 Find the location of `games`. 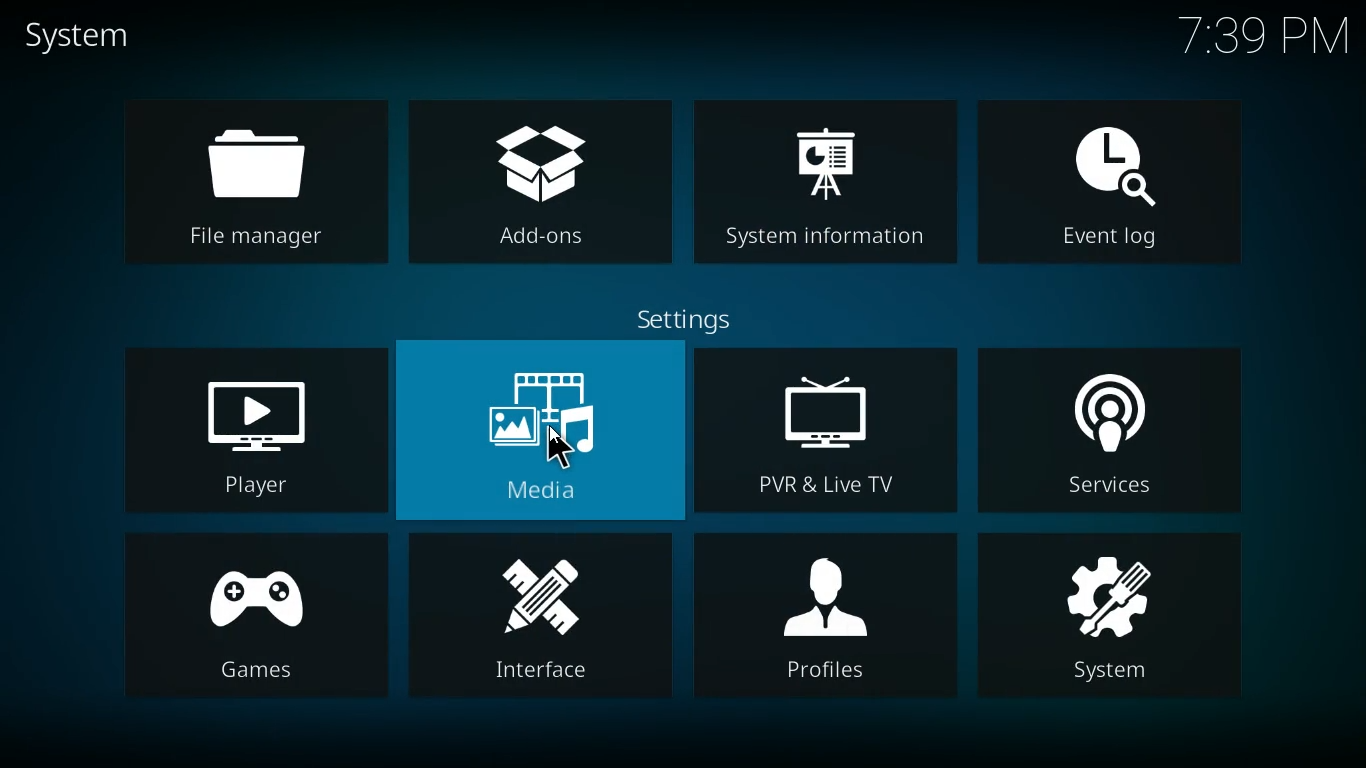

games is located at coordinates (256, 621).